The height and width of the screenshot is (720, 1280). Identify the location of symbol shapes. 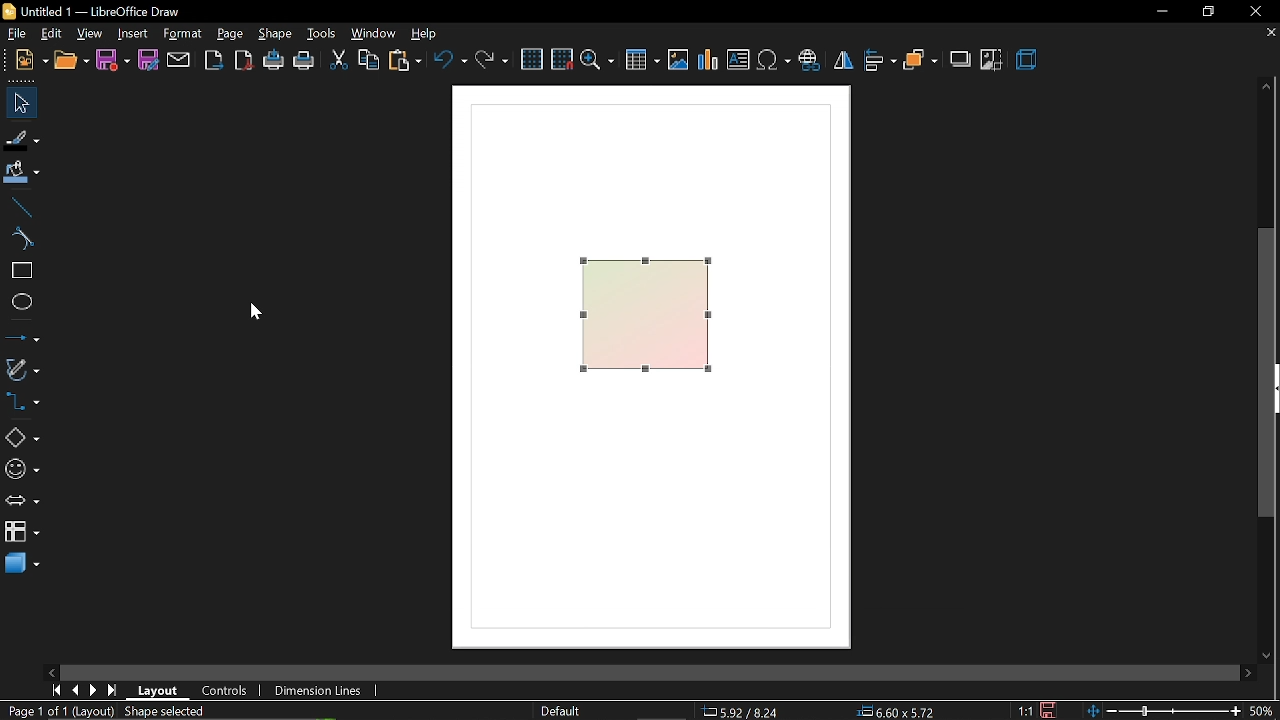
(21, 470).